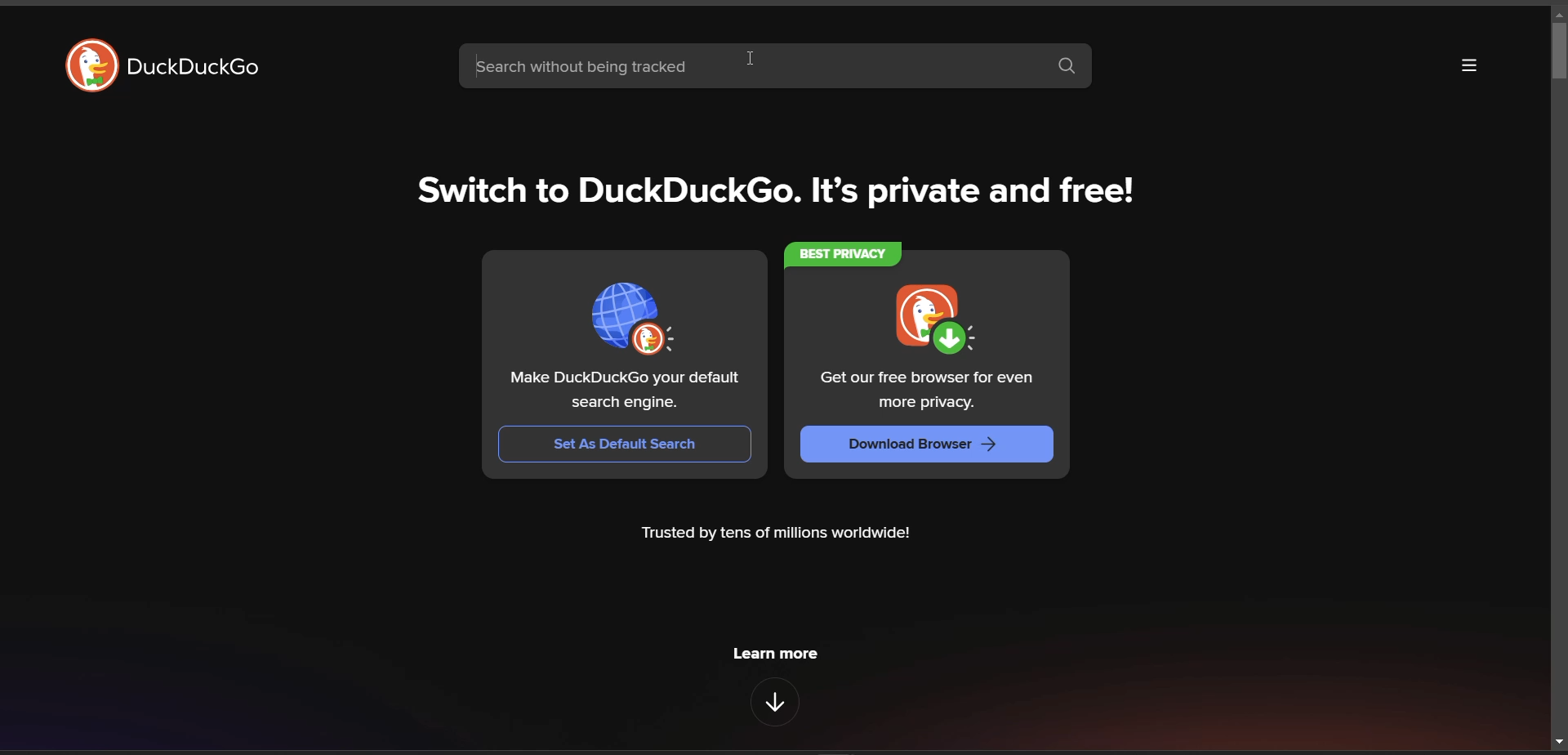 Image resolution: width=1568 pixels, height=755 pixels. I want to click on cursor, so click(751, 57).